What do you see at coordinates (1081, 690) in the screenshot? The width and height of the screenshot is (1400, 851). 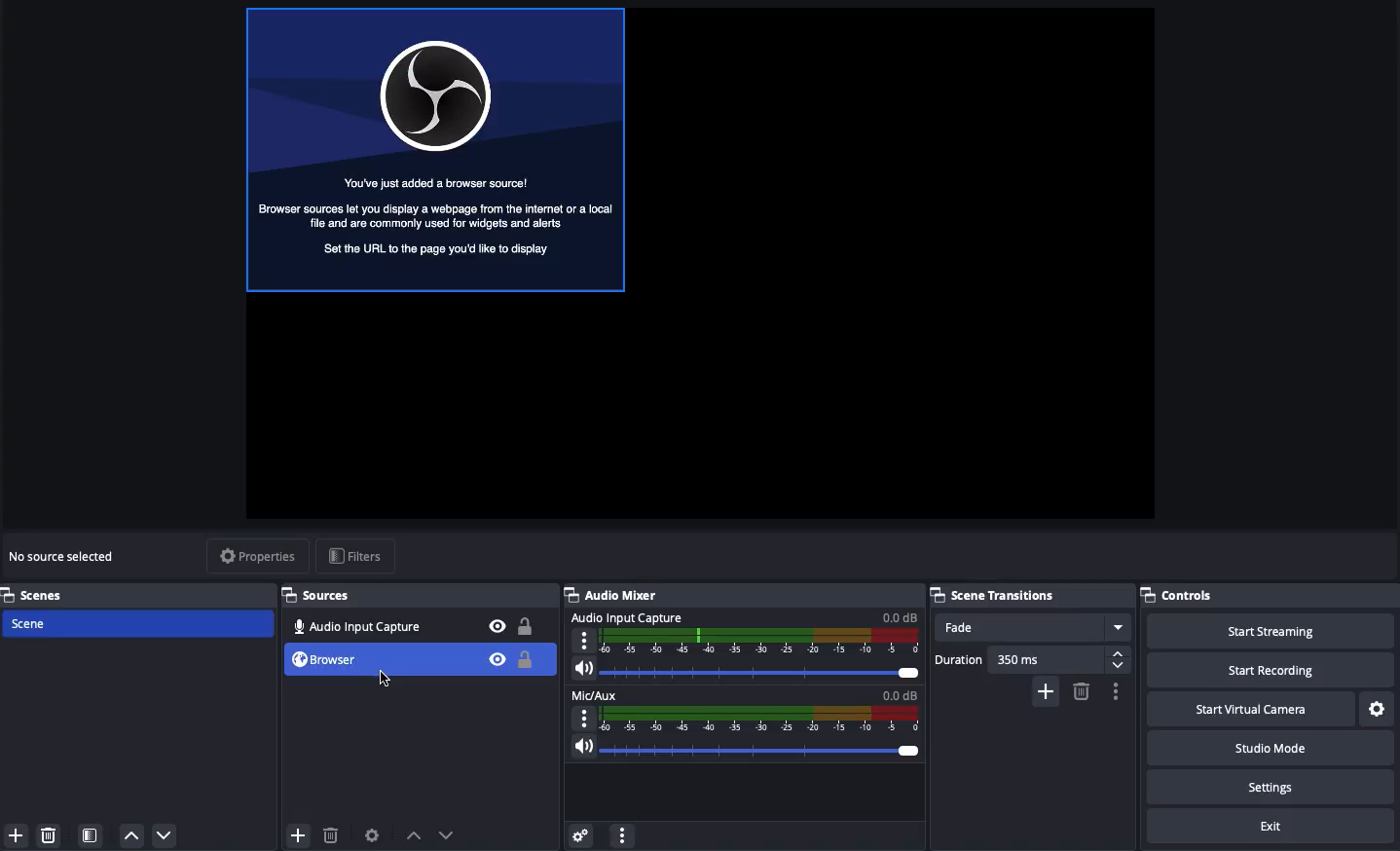 I see `Remove` at bounding box center [1081, 690].